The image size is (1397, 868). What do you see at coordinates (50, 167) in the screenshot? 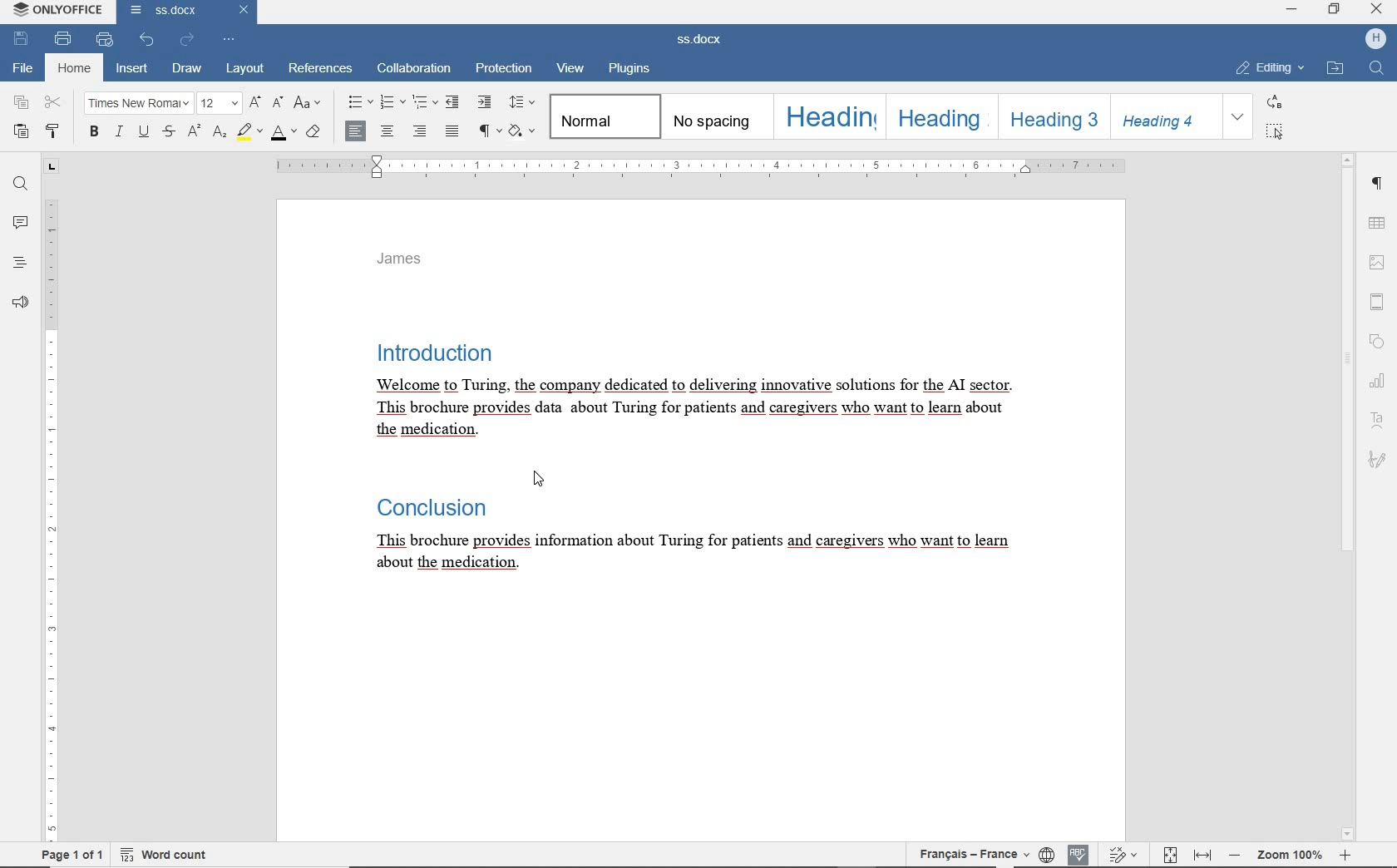
I see `TAB STOP` at bounding box center [50, 167].